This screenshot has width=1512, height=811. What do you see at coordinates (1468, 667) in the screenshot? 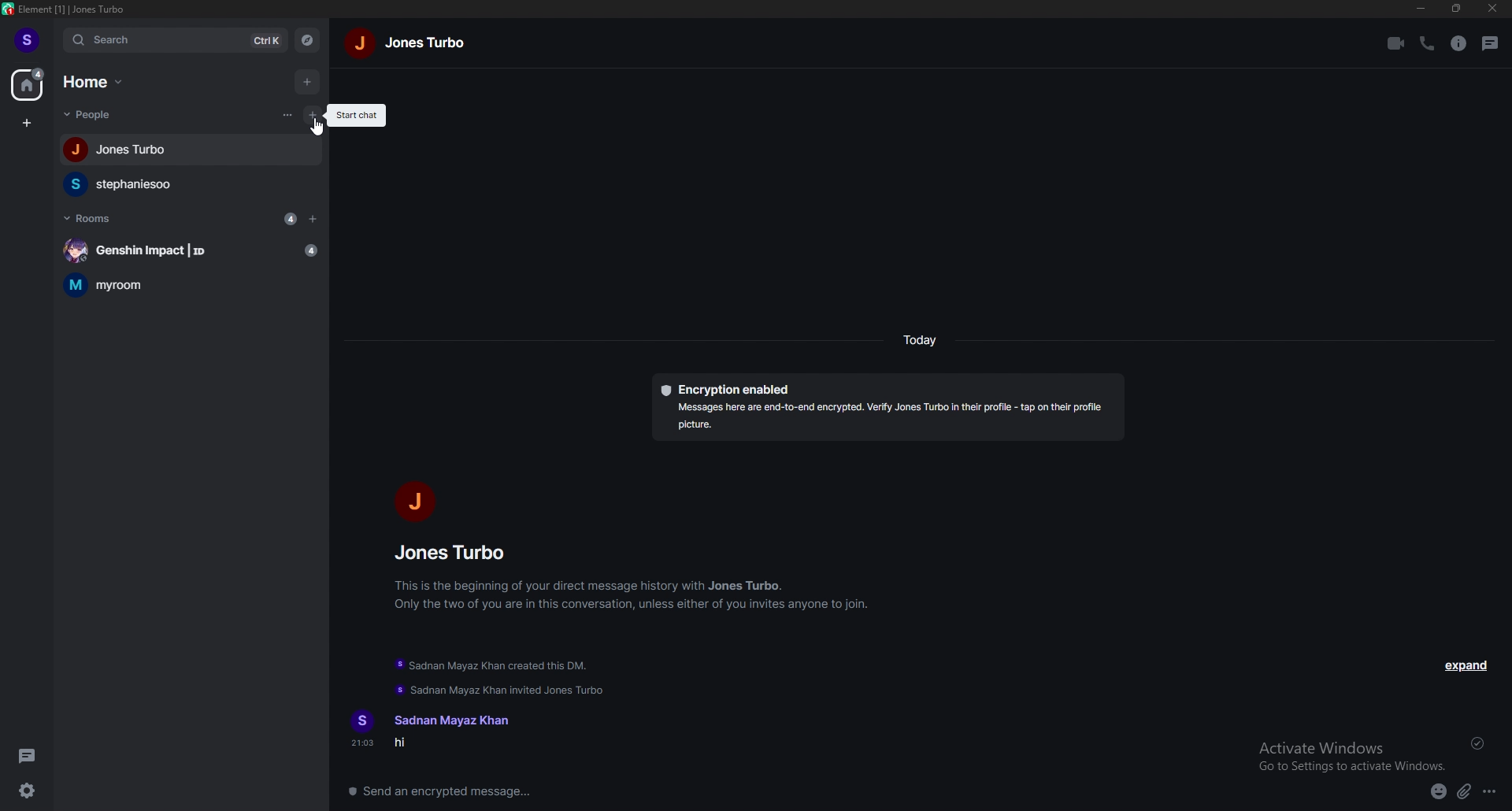
I see `expand` at bounding box center [1468, 667].